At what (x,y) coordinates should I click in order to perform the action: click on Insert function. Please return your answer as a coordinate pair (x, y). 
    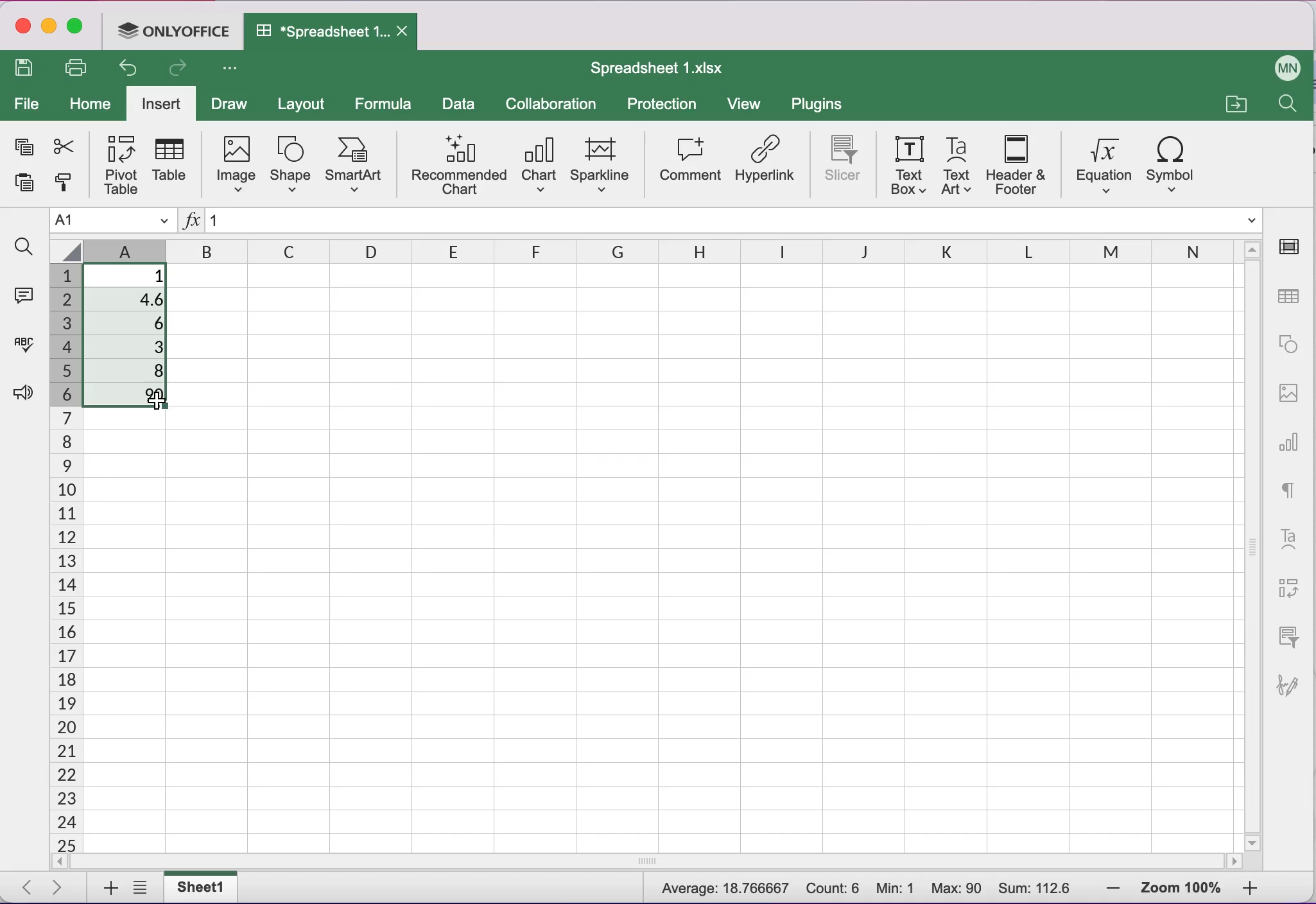
    Looking at the image, I should click on (193, 220).